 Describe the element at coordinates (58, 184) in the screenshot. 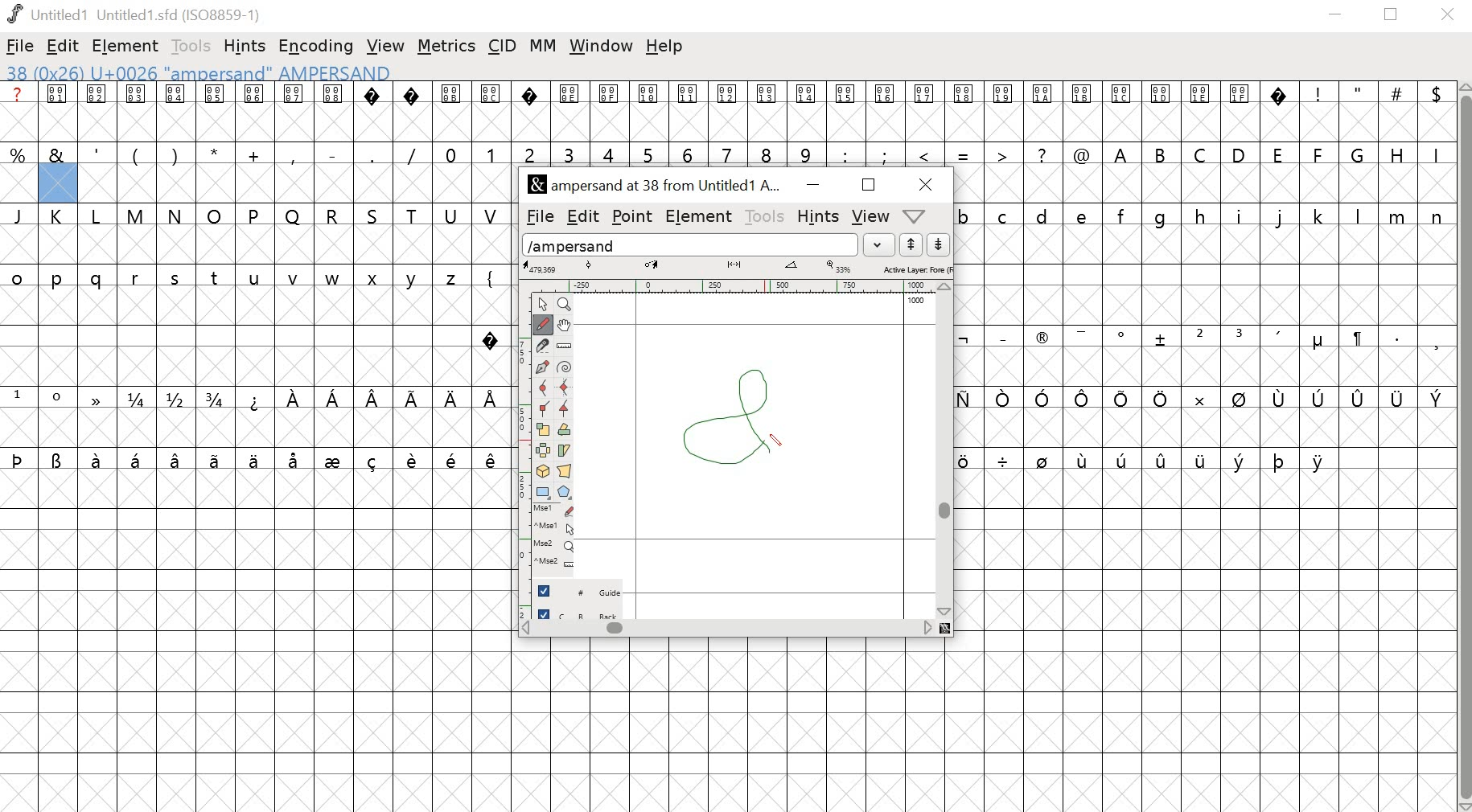

I see `glyphy slot` at that location.